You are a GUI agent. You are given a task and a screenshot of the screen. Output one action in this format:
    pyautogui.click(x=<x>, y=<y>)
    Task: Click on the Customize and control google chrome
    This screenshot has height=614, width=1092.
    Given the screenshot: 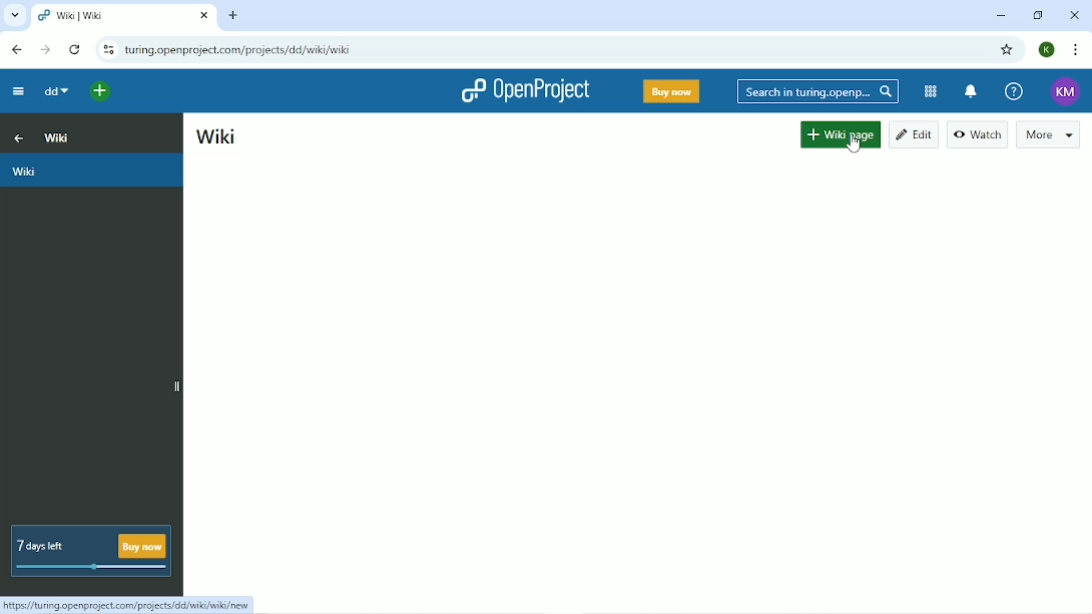 What is the action you would take?
    pyautogui.click(x=1074, y=50)
    